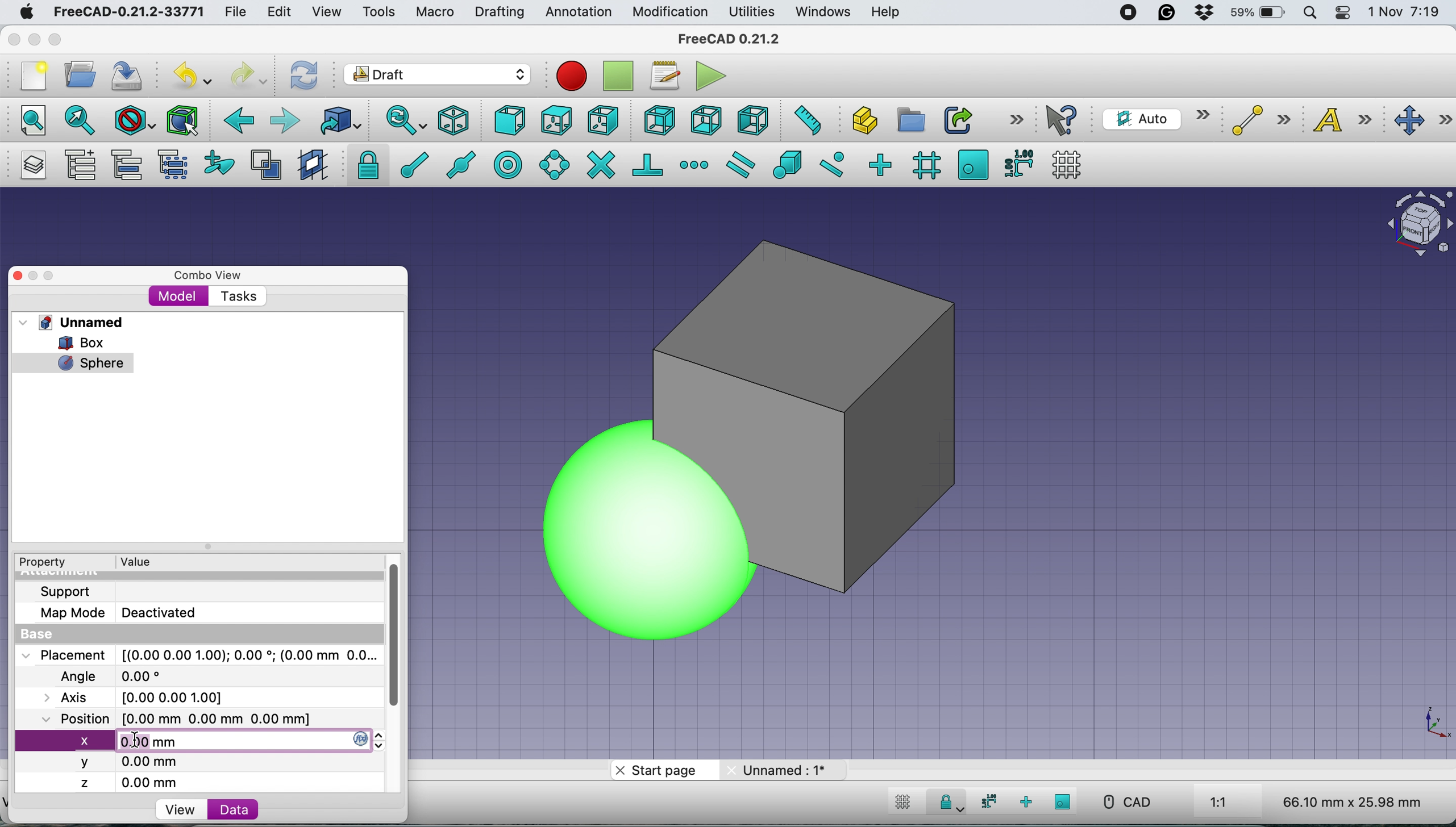 The image size is (1456, 827). What do you see at coordinates (973, 164) in the screenshot?
I see `snap working plane` at bounding box center [973, 164].